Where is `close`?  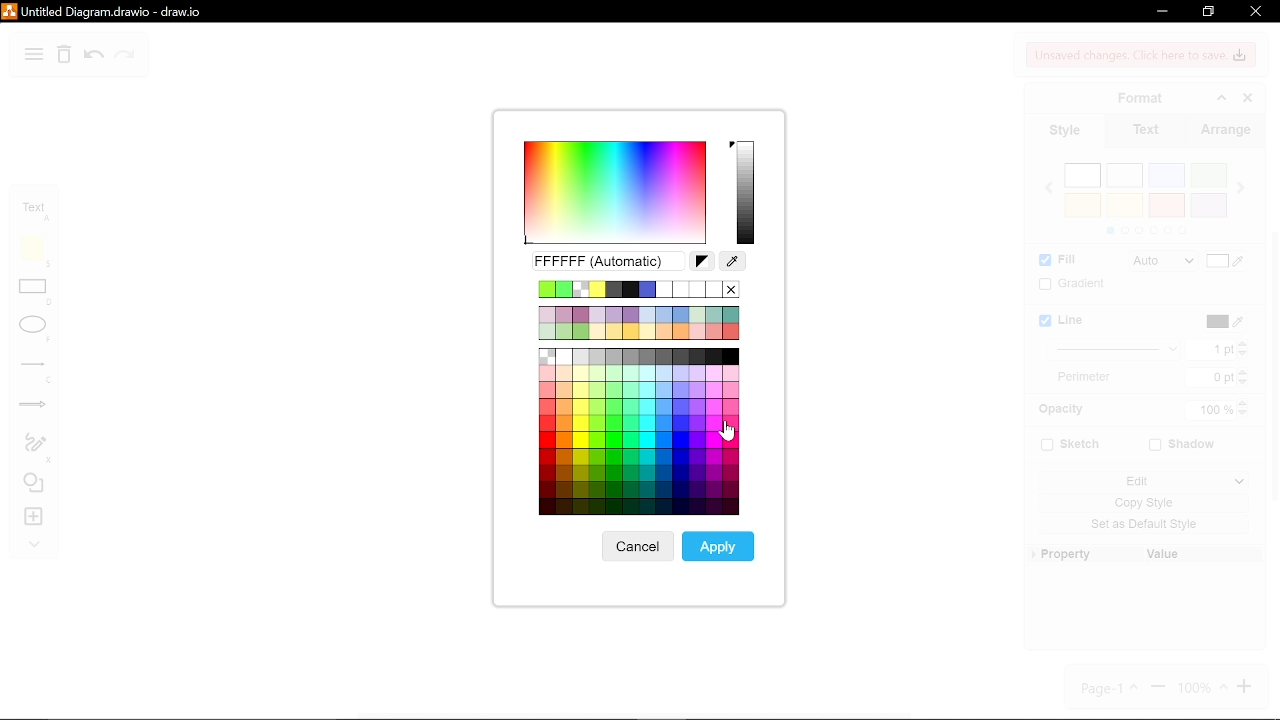 close is located at coordinates (1256, 11).